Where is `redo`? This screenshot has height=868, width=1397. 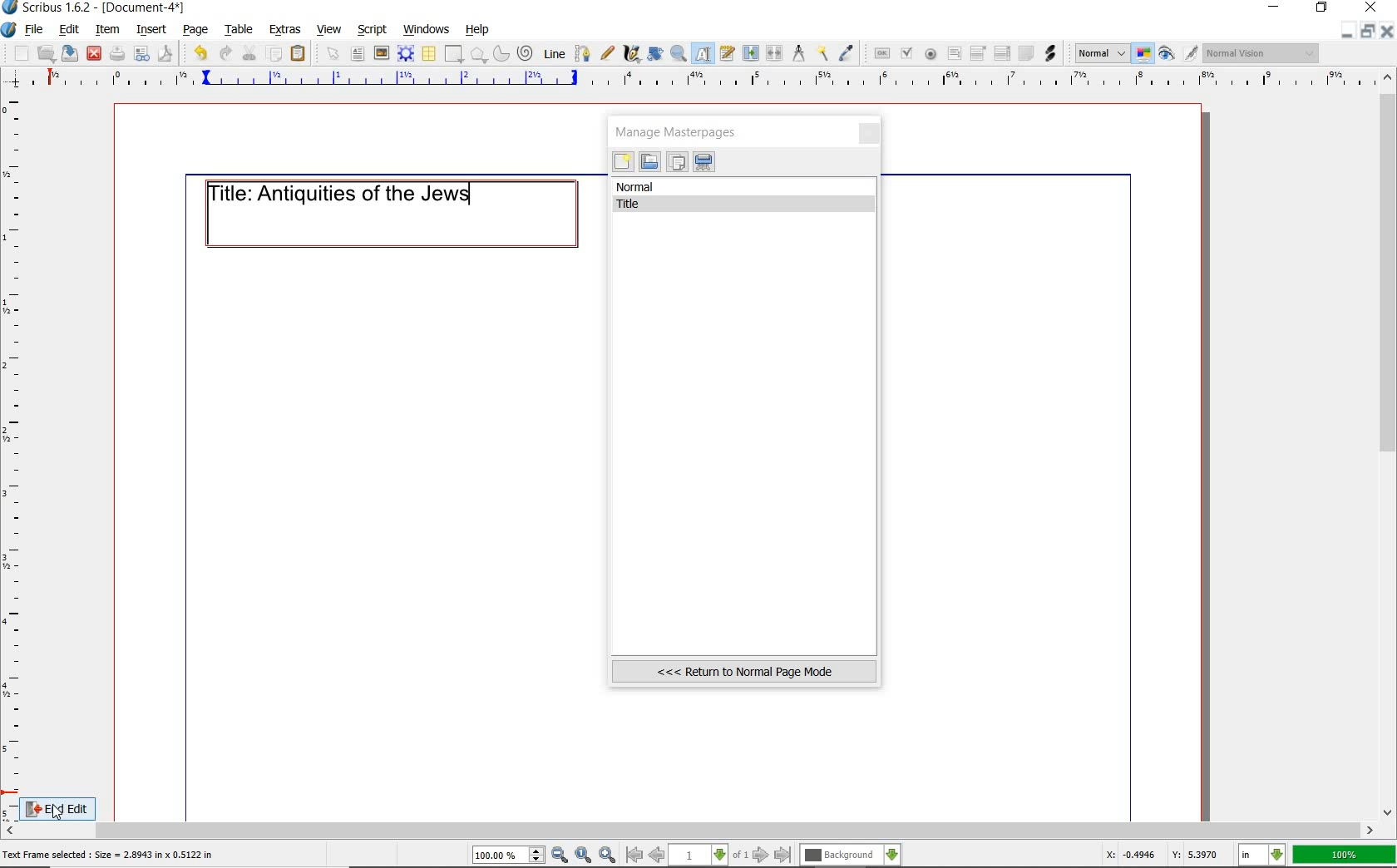
redo is located at coordinates (225, 52).